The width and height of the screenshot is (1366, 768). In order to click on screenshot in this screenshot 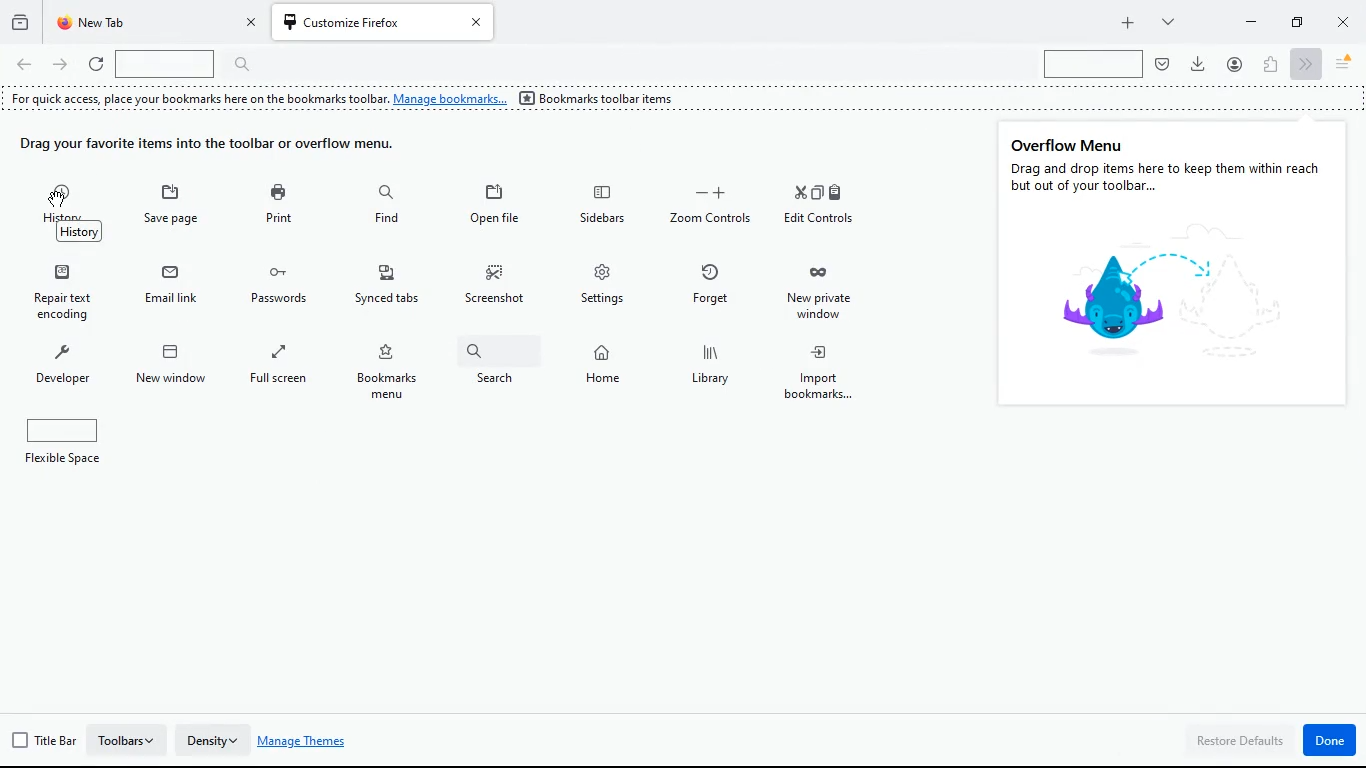, I will do `click(498, 284)`.